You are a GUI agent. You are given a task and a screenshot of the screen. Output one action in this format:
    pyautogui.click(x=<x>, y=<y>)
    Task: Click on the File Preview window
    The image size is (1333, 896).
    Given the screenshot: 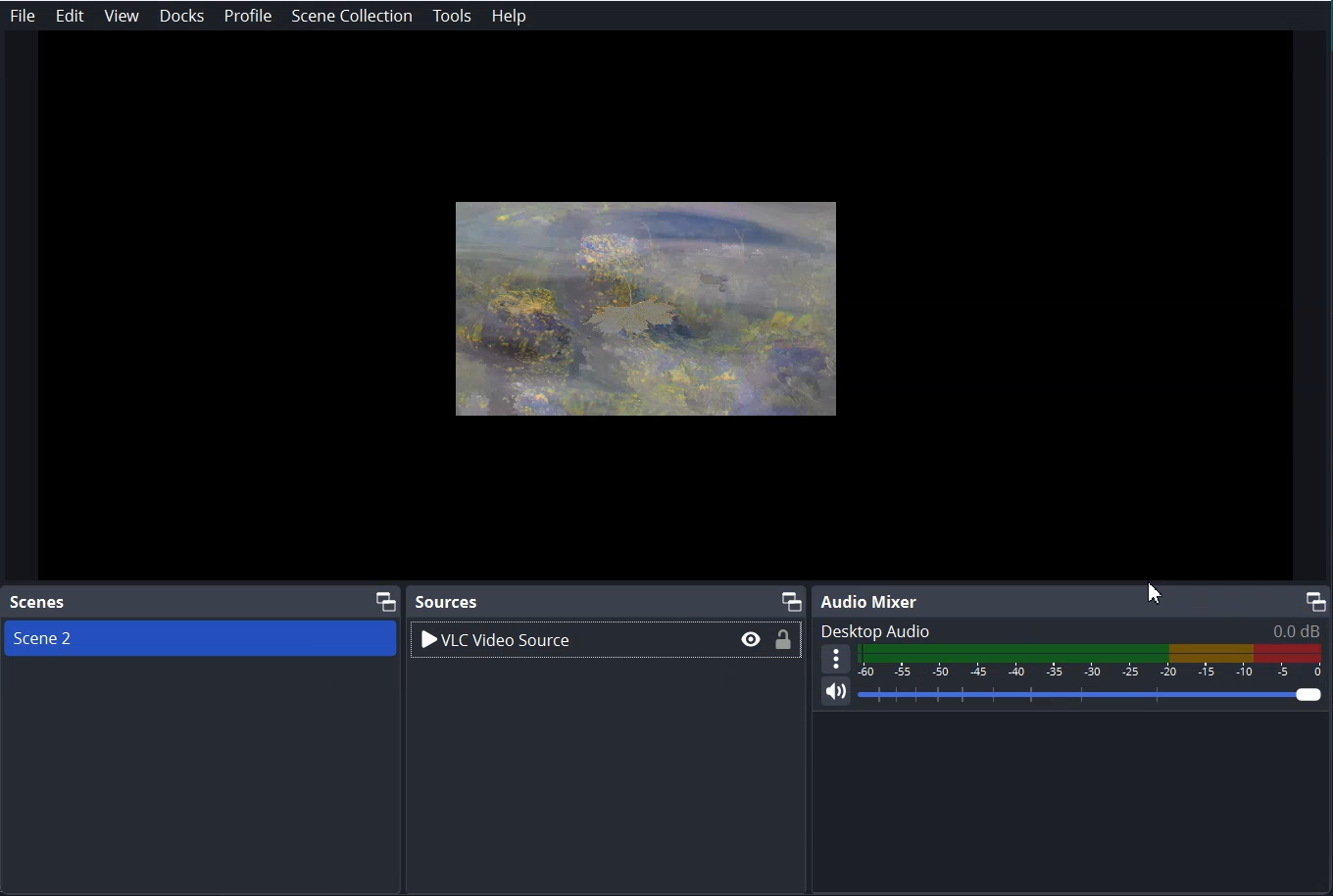 What is the action you would take?
    pyautogui.click(x=648, y=303)
    